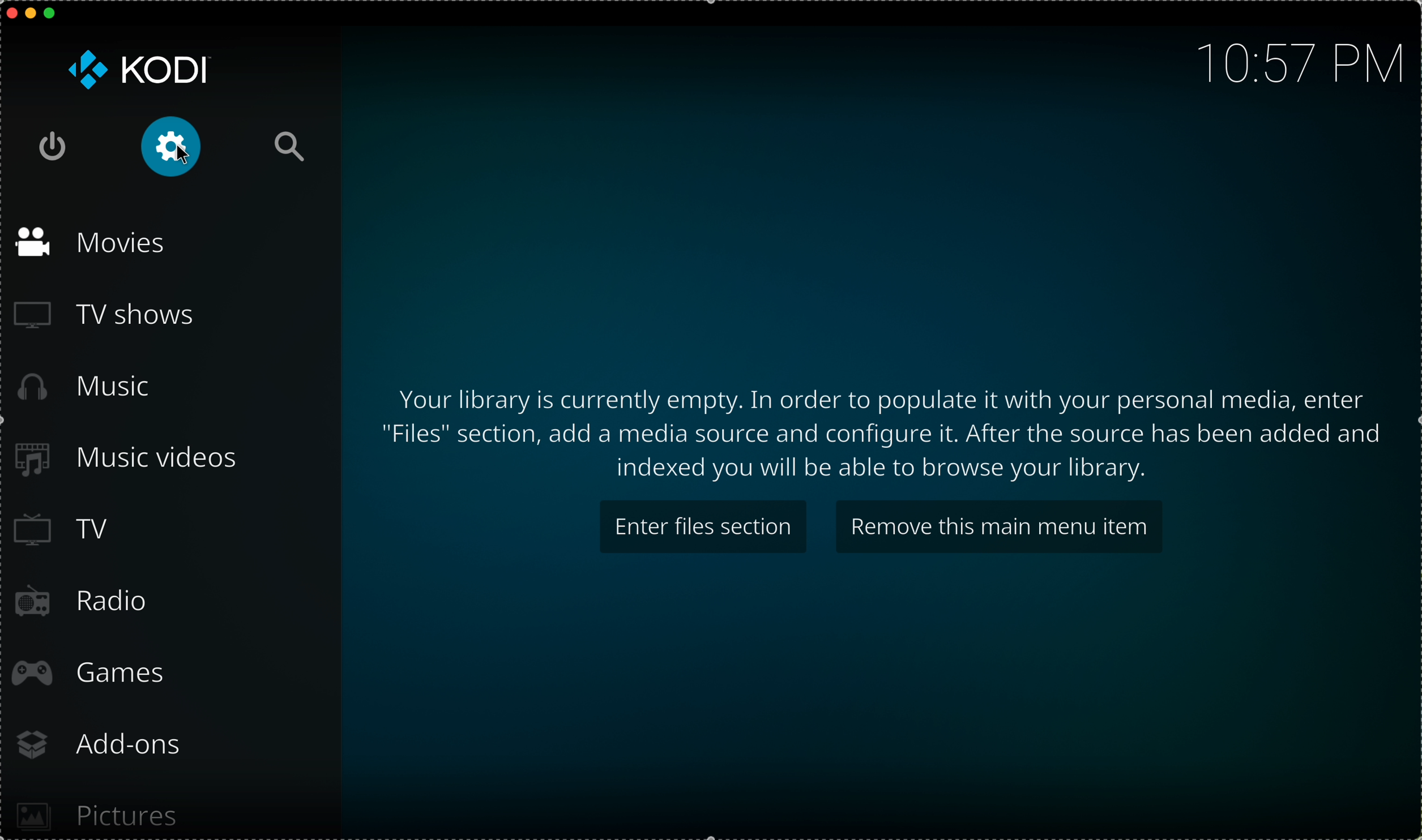  I want to click on click on settings, so click(172, 147).